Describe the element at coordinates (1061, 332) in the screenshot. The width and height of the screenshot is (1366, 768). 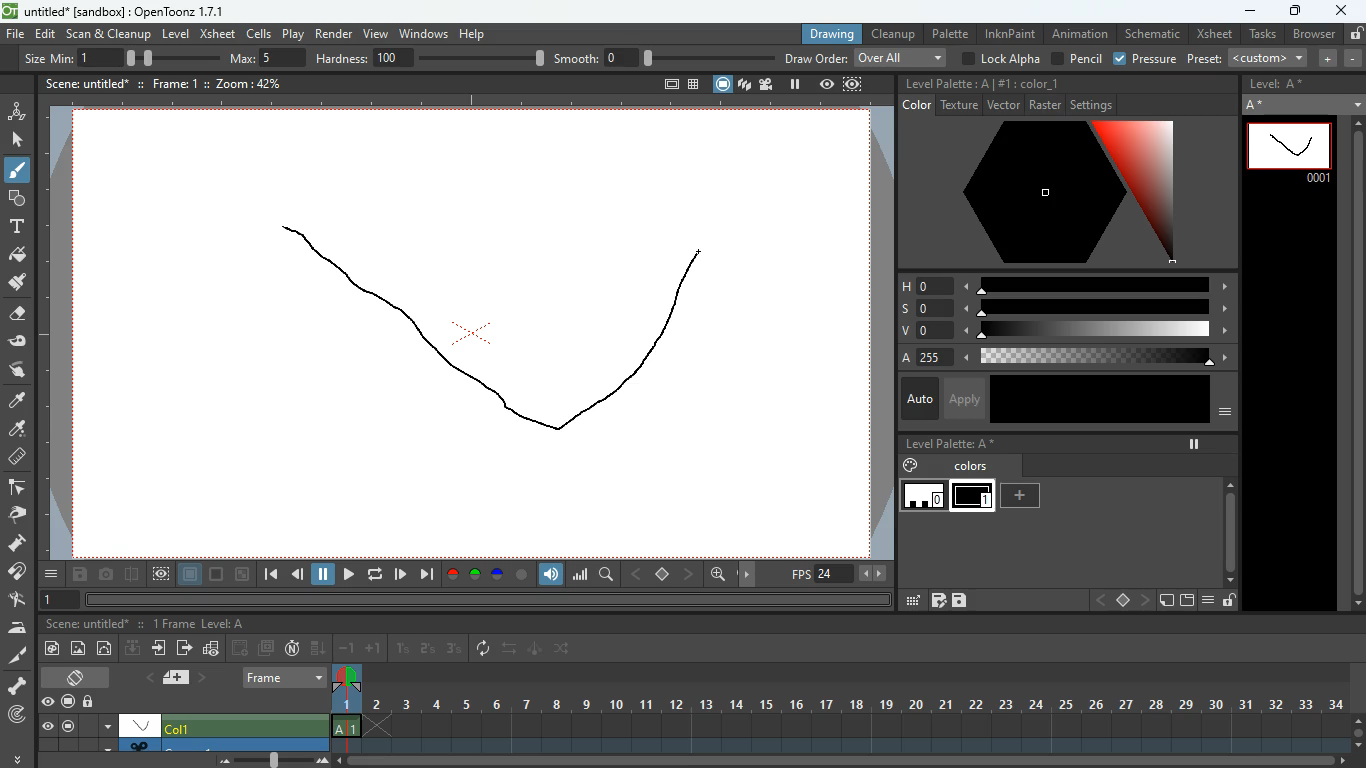
I see `v` at that location.